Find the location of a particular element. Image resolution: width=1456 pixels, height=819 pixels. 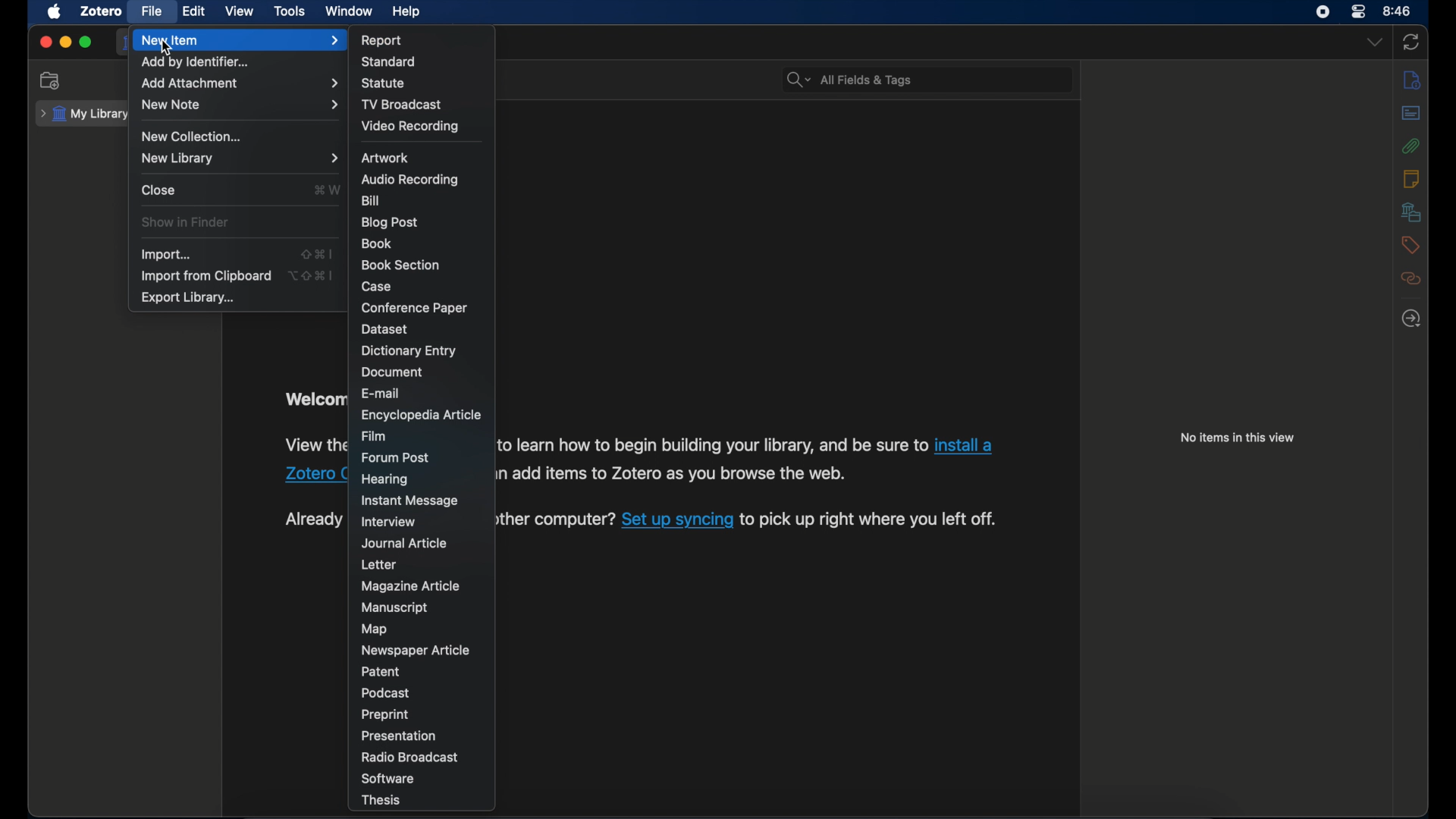

Zotero connector link is located at coordinates (314, 475).